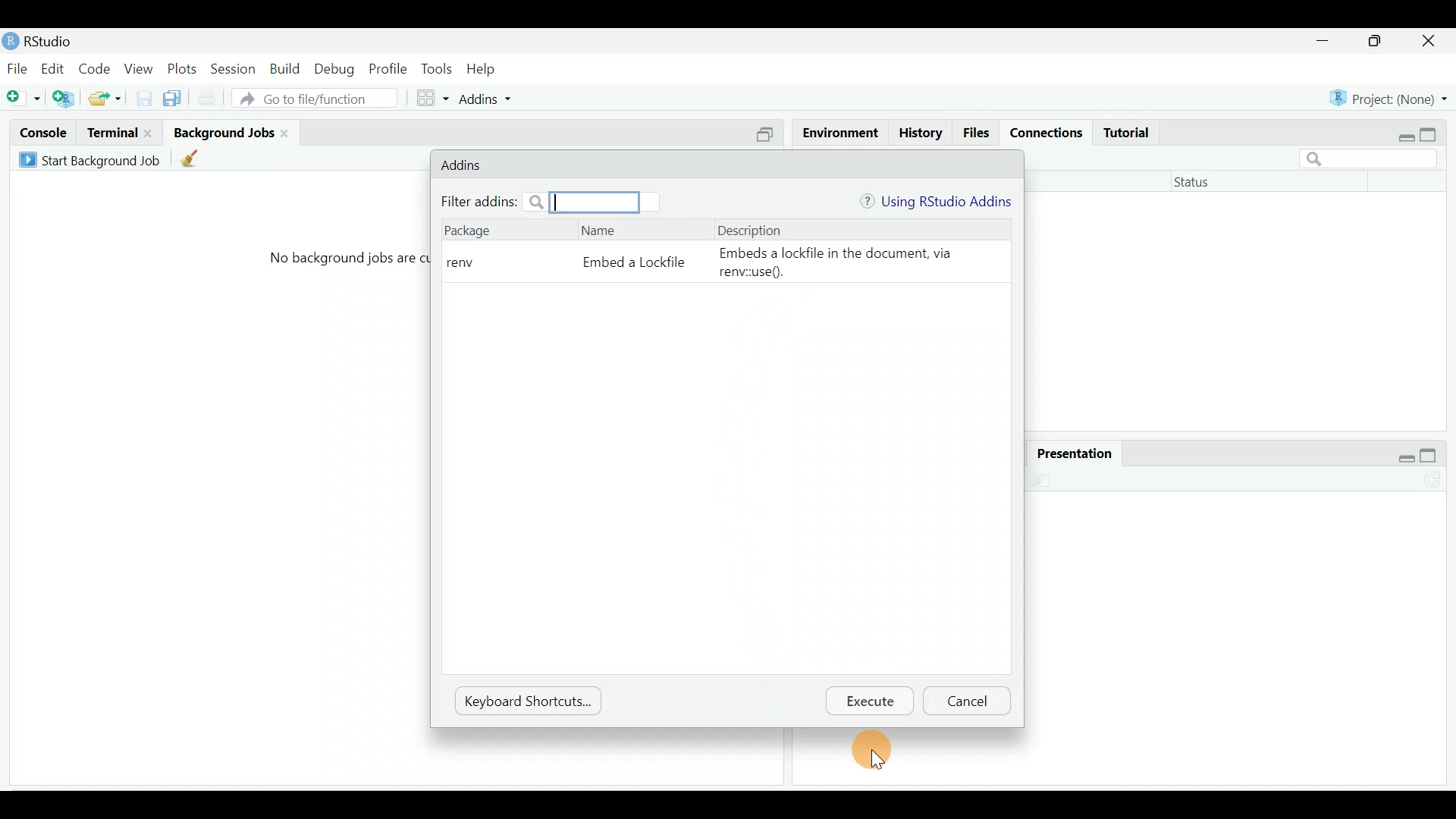 The height and width of the screenshot is (819, 1456). Describe the element at coordinates (46, 41) in the screenshot. I see `RStudio` at that location.